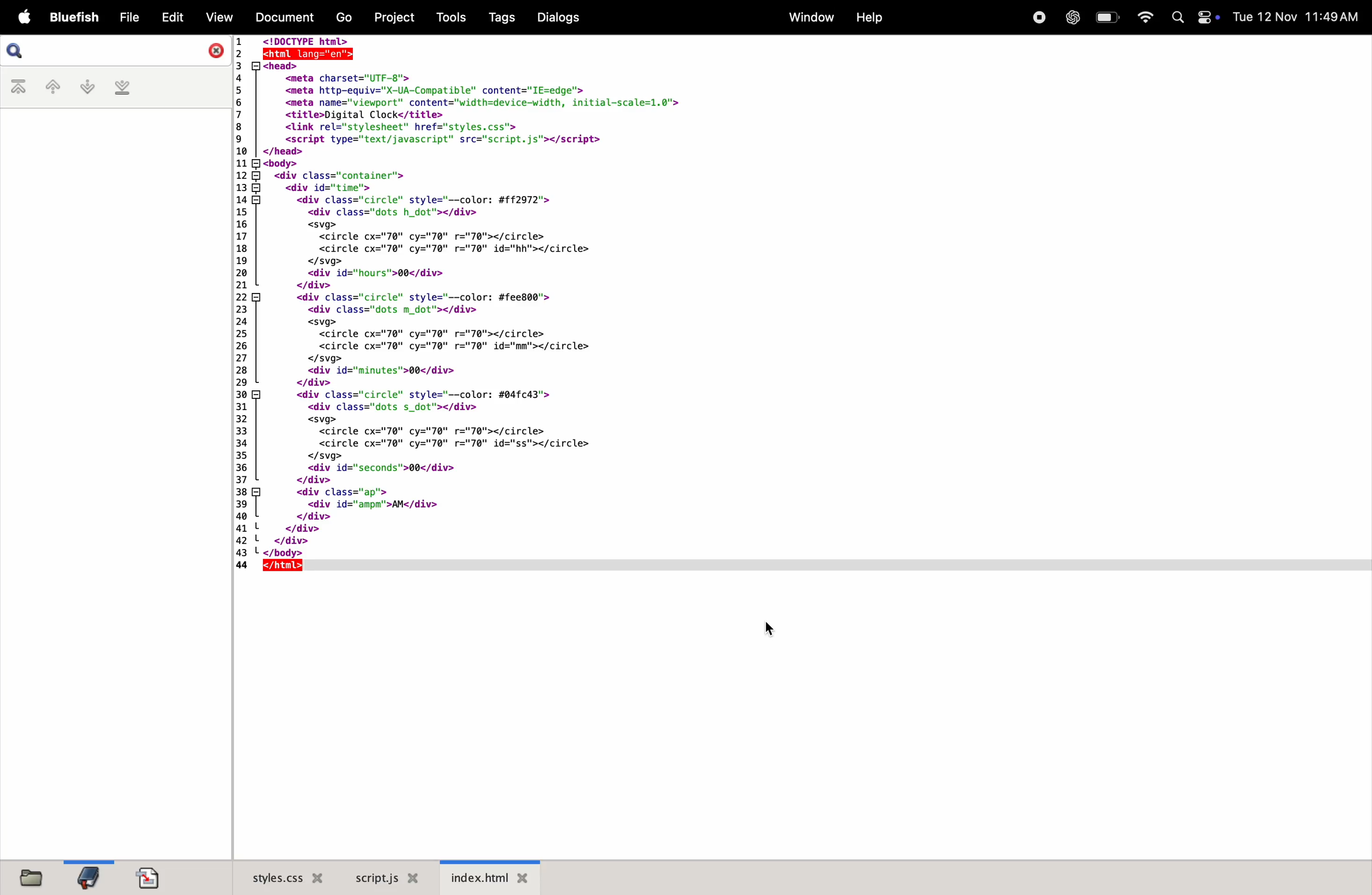 The height and width of the screenshot is (895, 1372). I want to click on bluefish menu, so click(74, 18).